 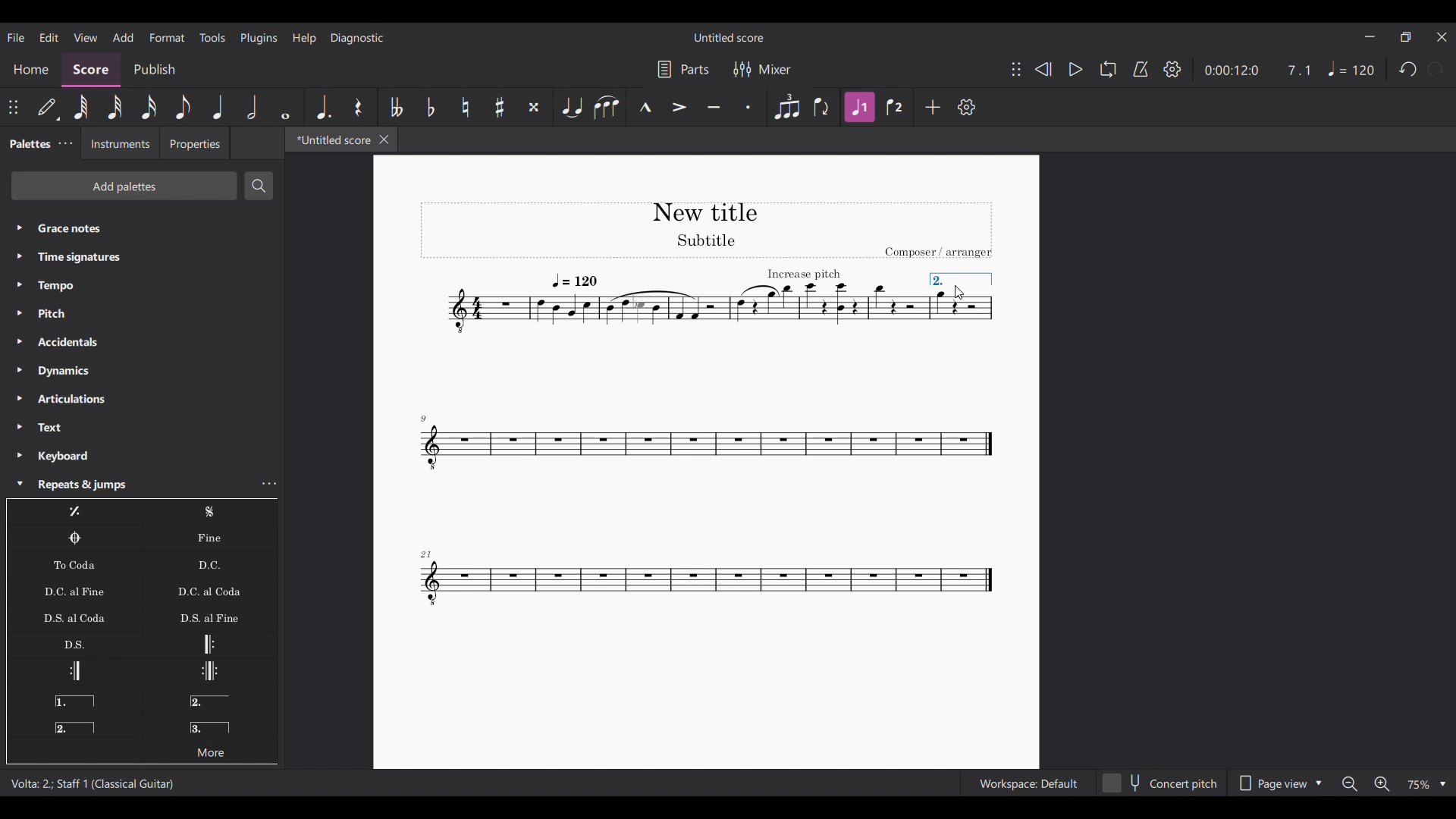 I want to click on D.C. al Fine, so click(x=74, y=591).